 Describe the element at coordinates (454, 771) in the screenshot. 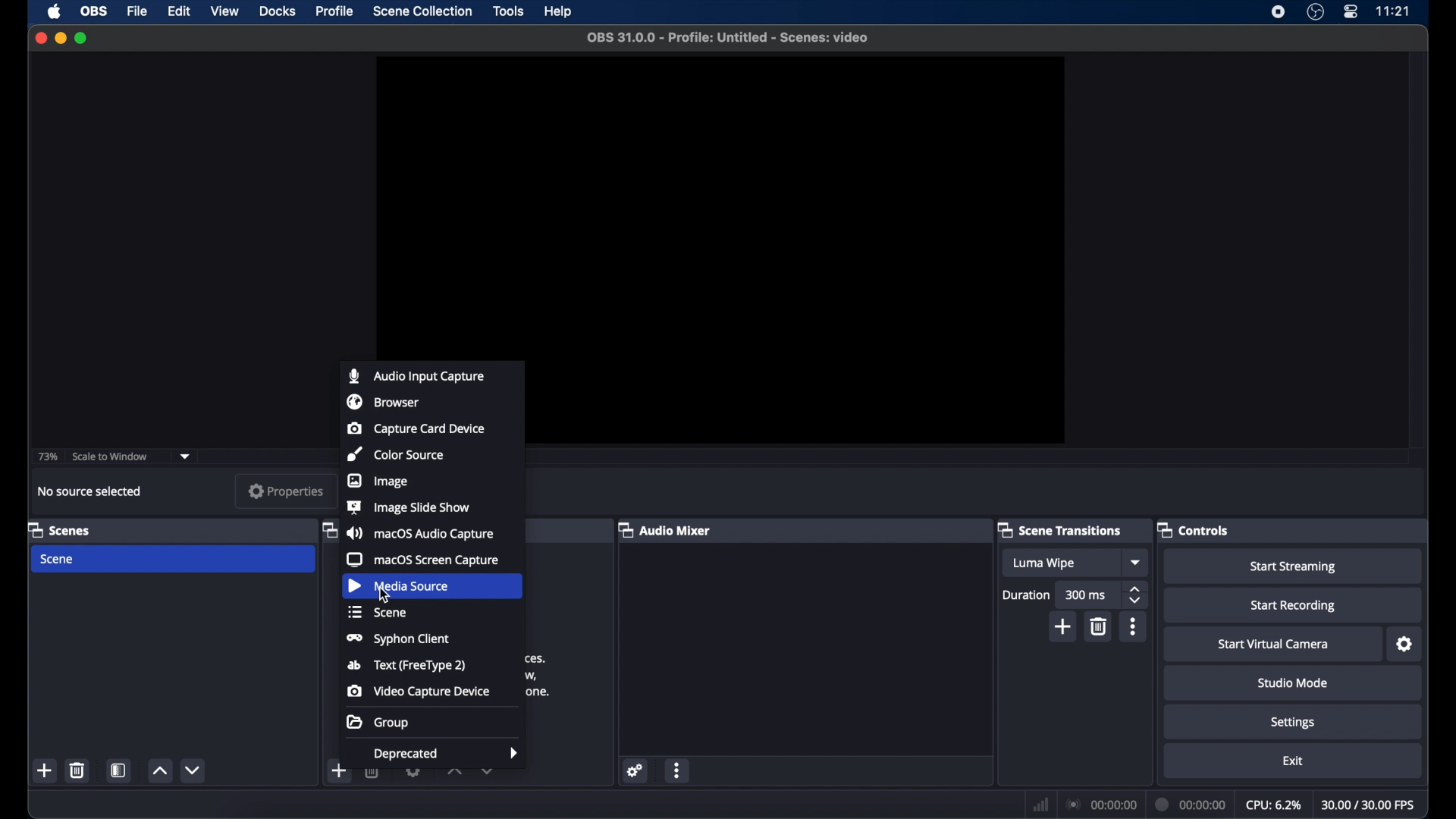

I see `increment` at that location.